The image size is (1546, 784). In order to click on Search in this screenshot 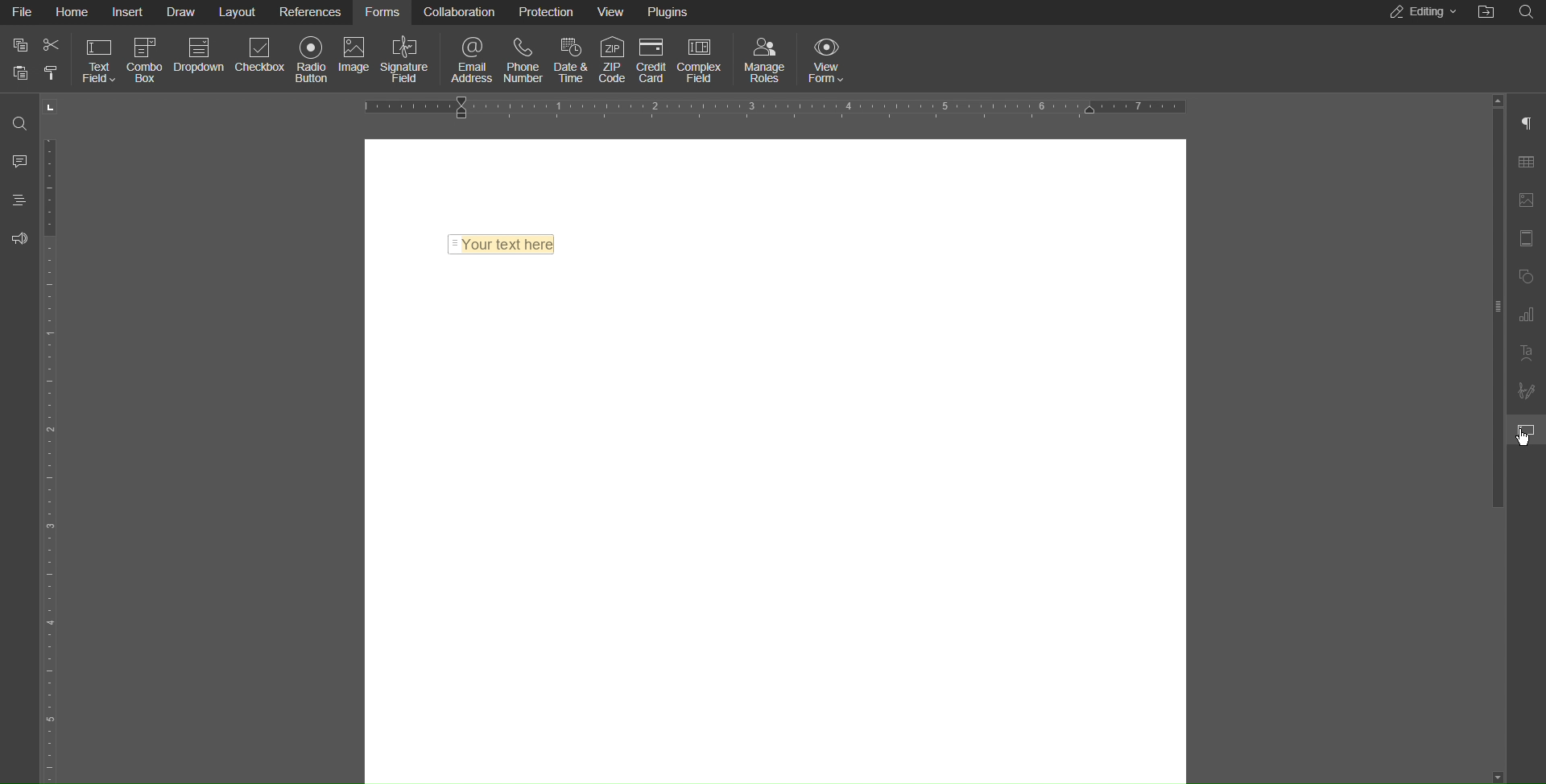, I will do `click(18, 118)`.